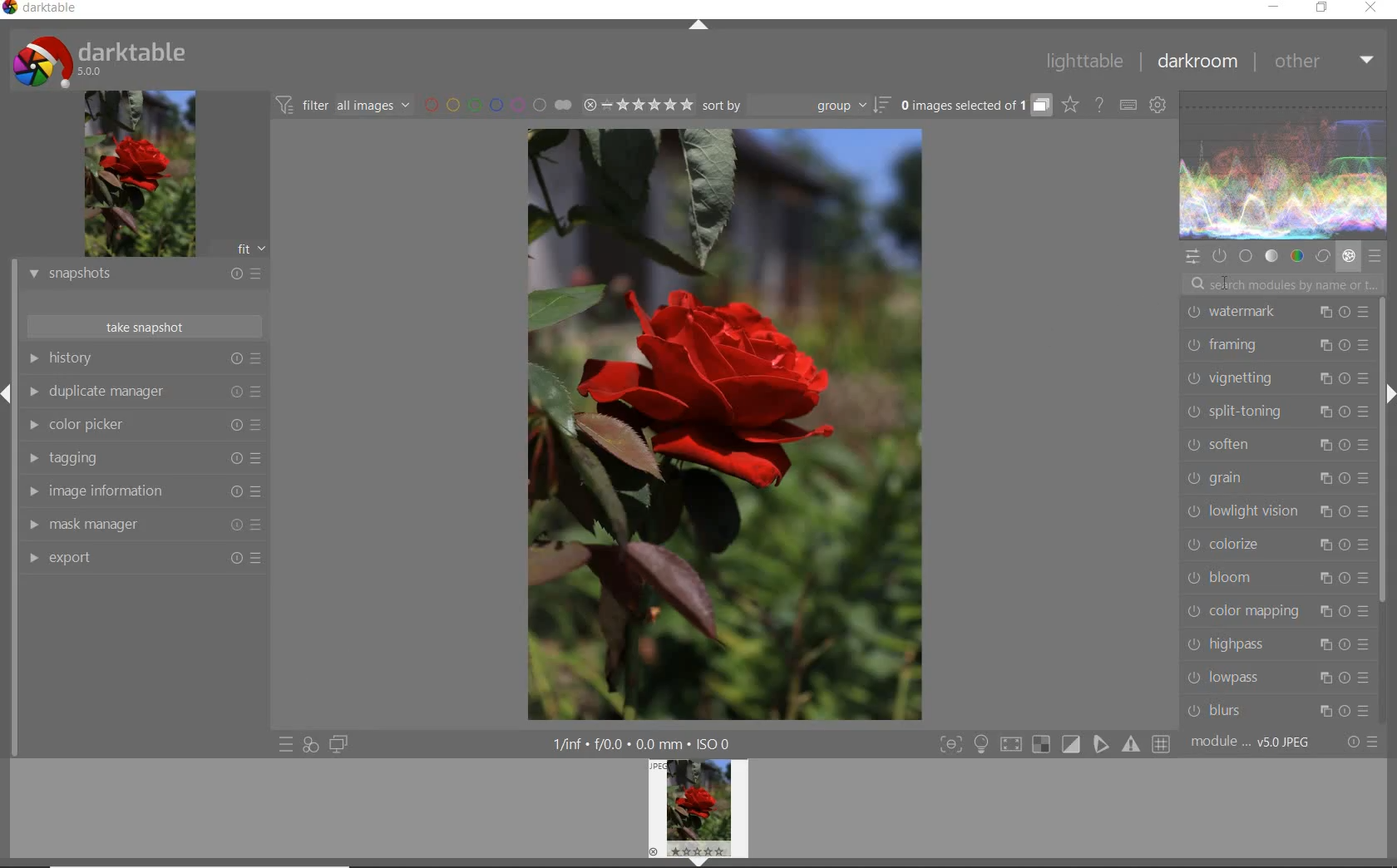 The width and height of the screenshot is (1397, 868). I want to click on filter images by color labels, so click(496, 106).